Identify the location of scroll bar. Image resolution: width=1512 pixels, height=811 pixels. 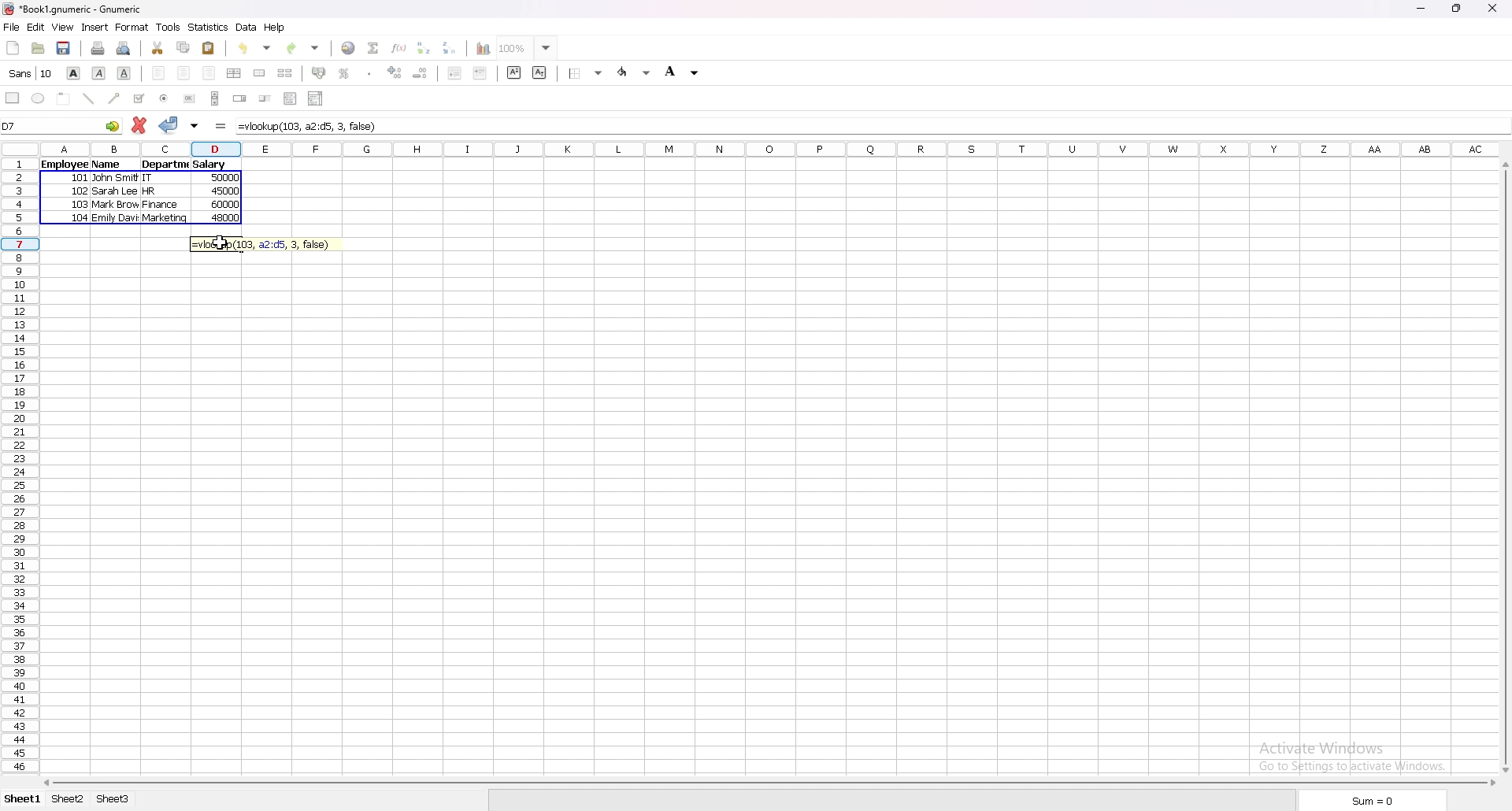
(768, 783).